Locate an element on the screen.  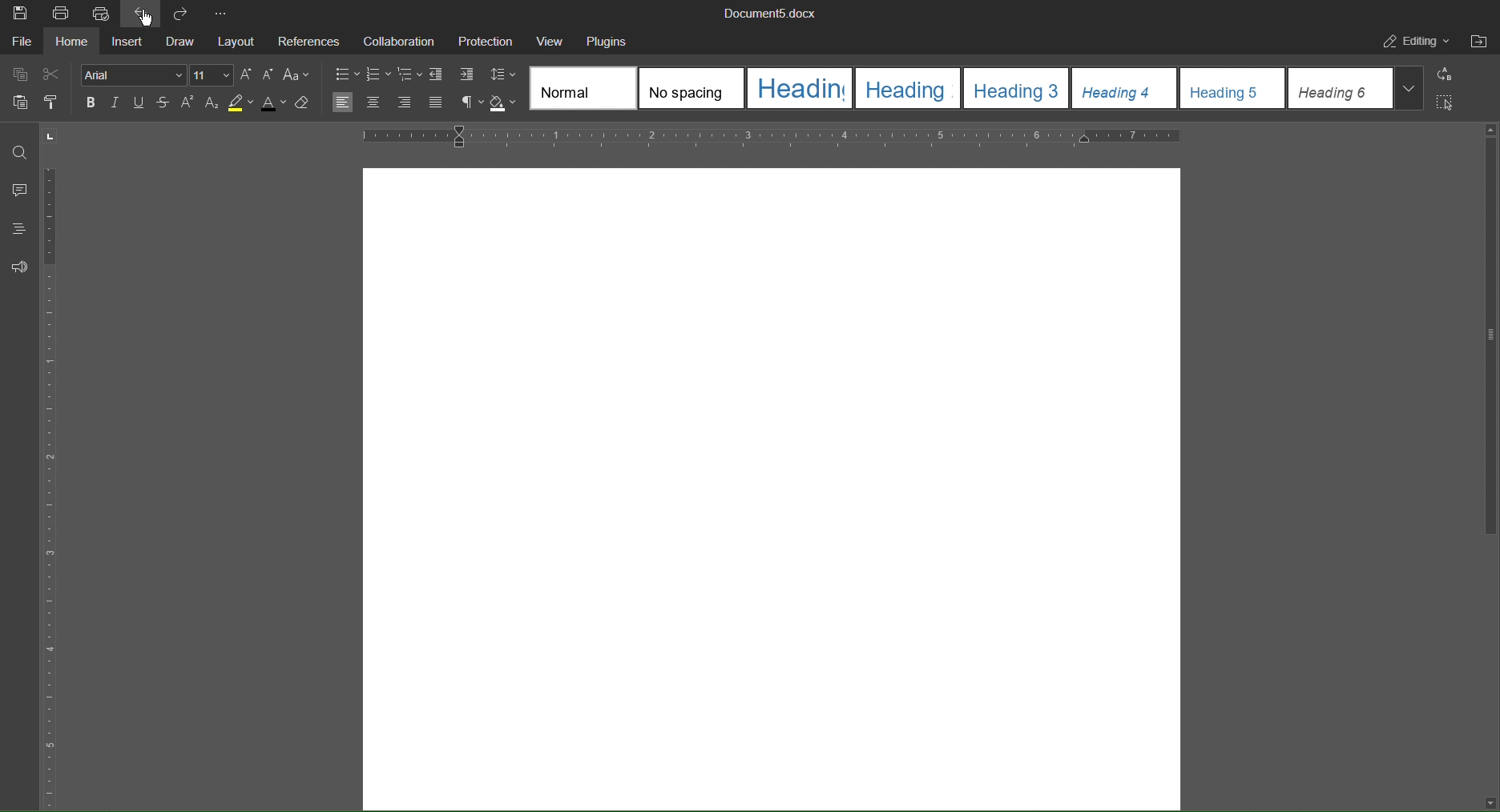
Increase Indent is located at coordinates (466, 74).